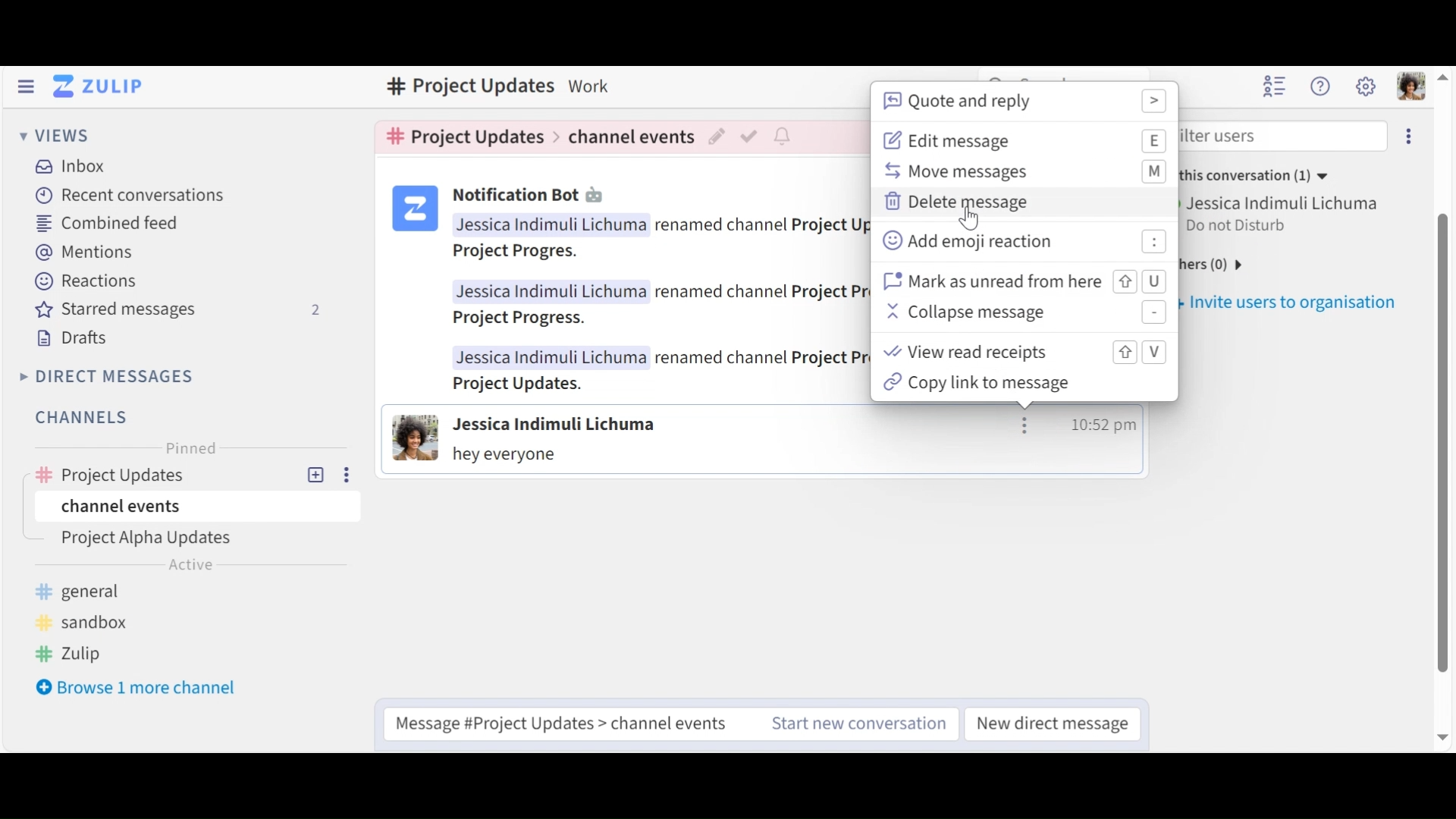 Image resolution: width=1456 pixels, height=819 pixels. Describe the element at coordinates (1023, 200) in the screenshot. I see `Delete message` at that location.